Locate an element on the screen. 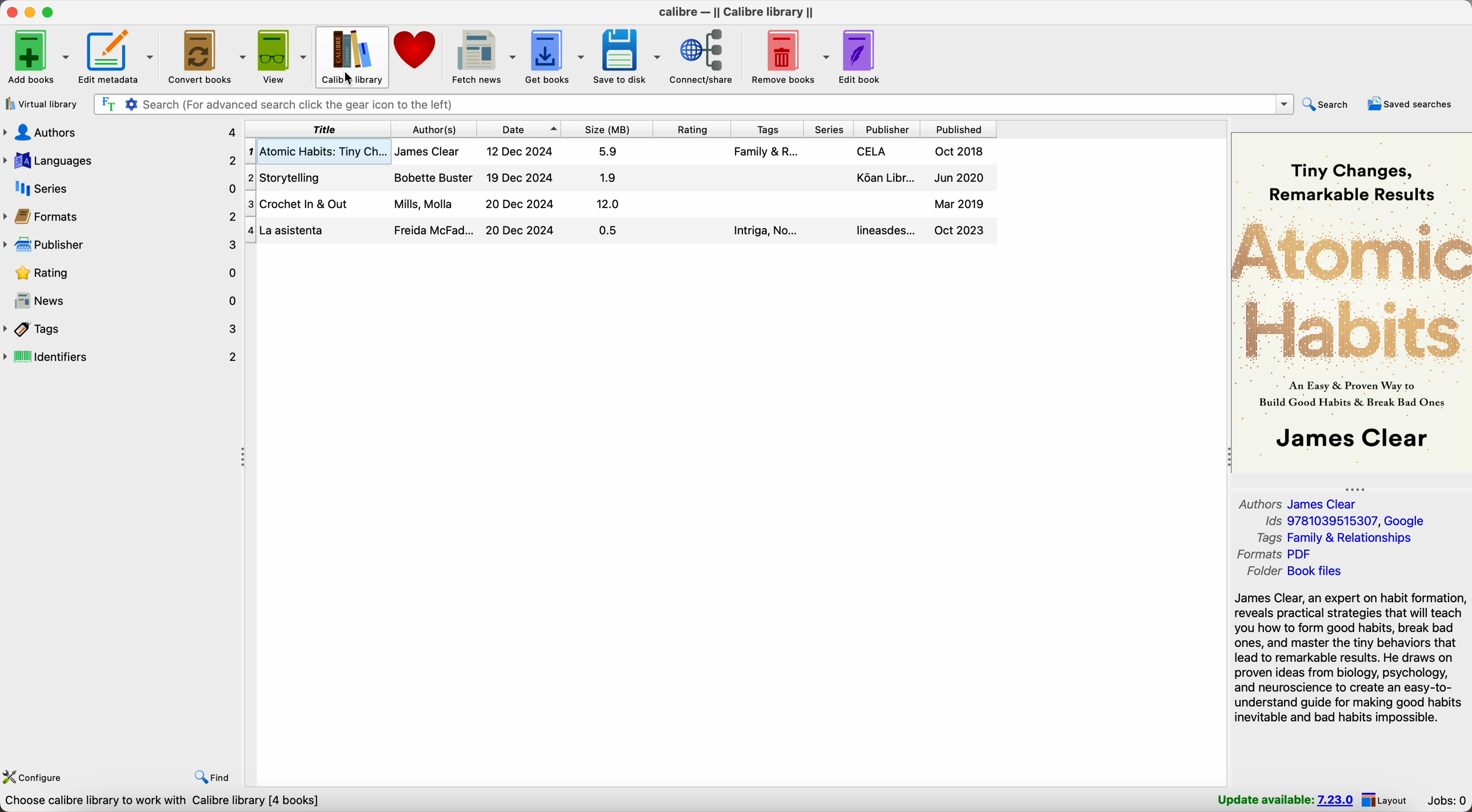 The image size is (1472, 812). identifiers is located at coordinates (122, 358).